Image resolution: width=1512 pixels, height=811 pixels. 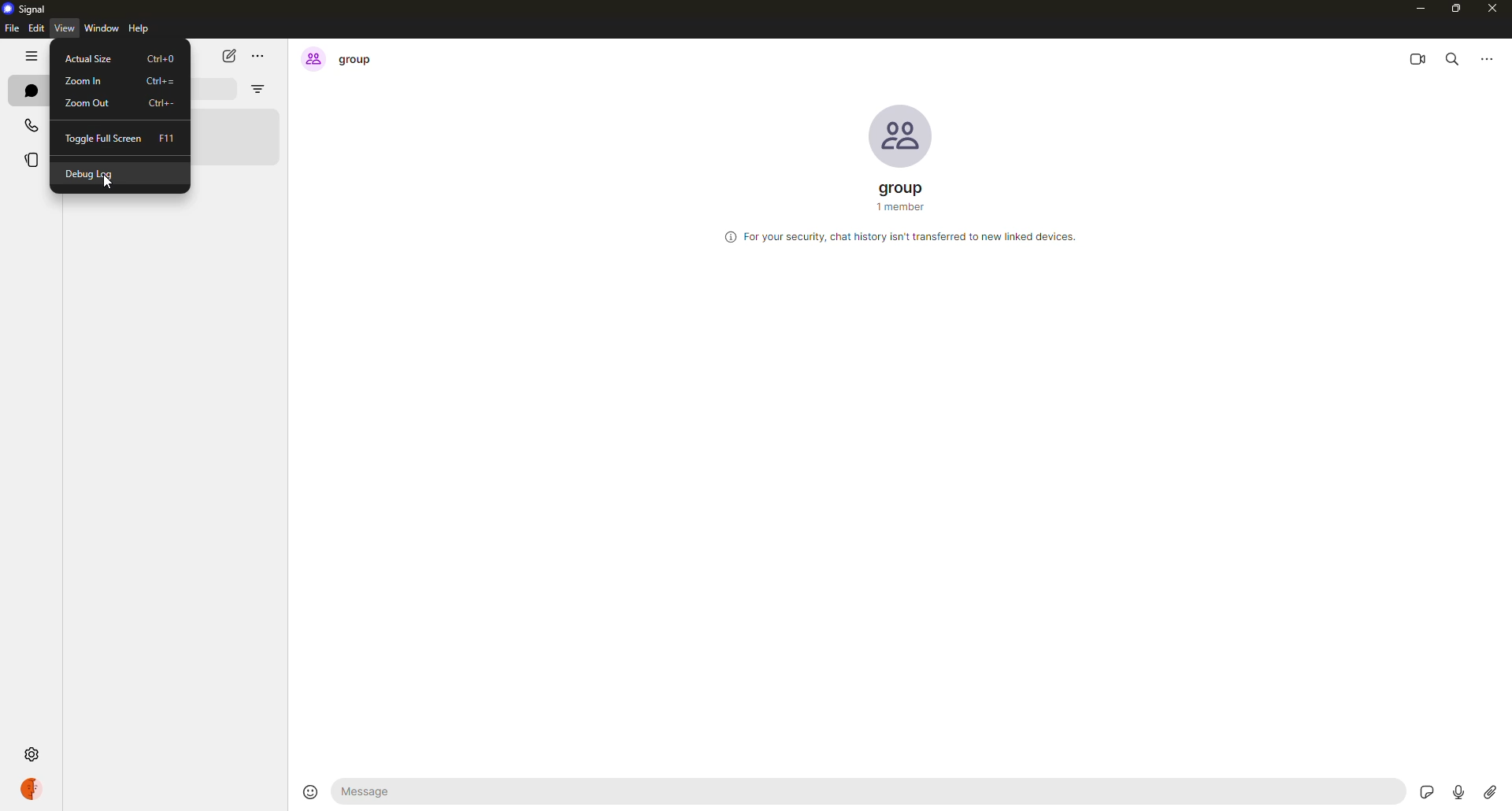 I want to click on profile pic, so click(x=901, y=137).